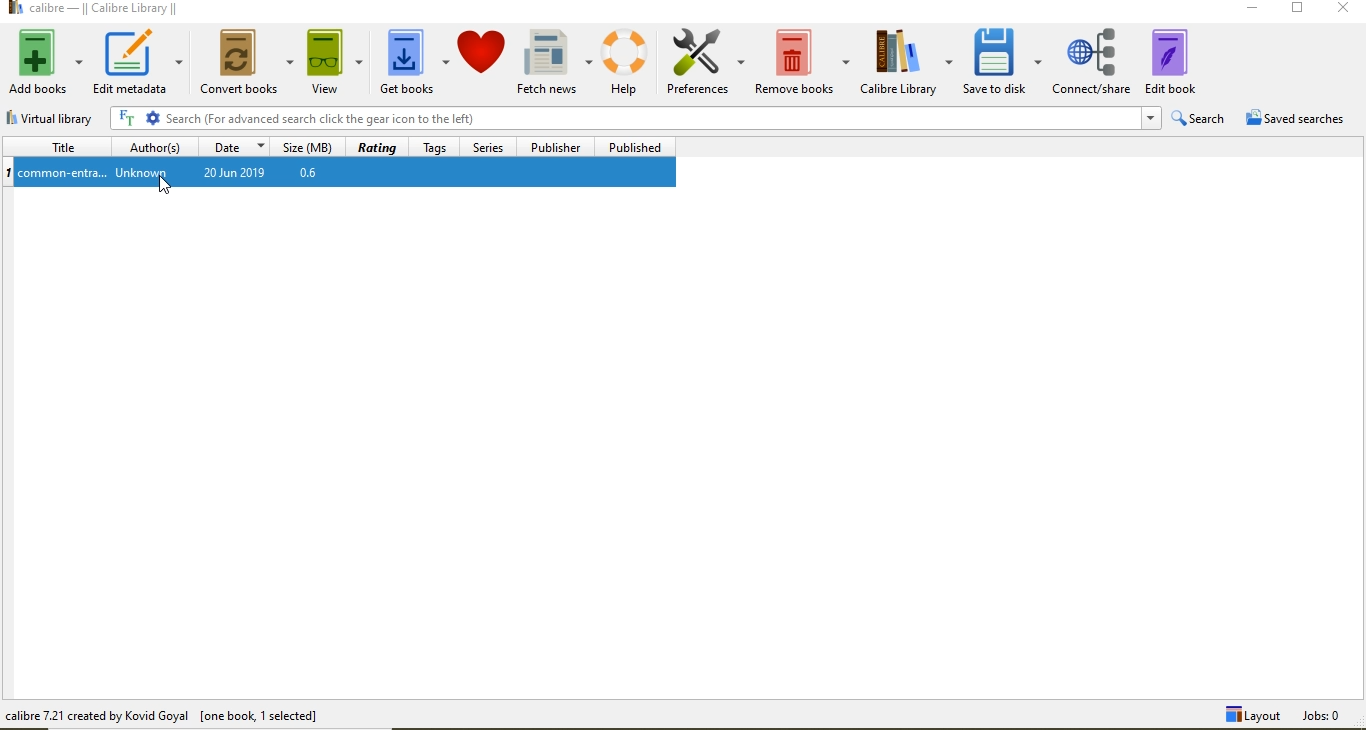  Describe the element at coordinates (624, 119) in the screenshot. I see `search bar` at that location.